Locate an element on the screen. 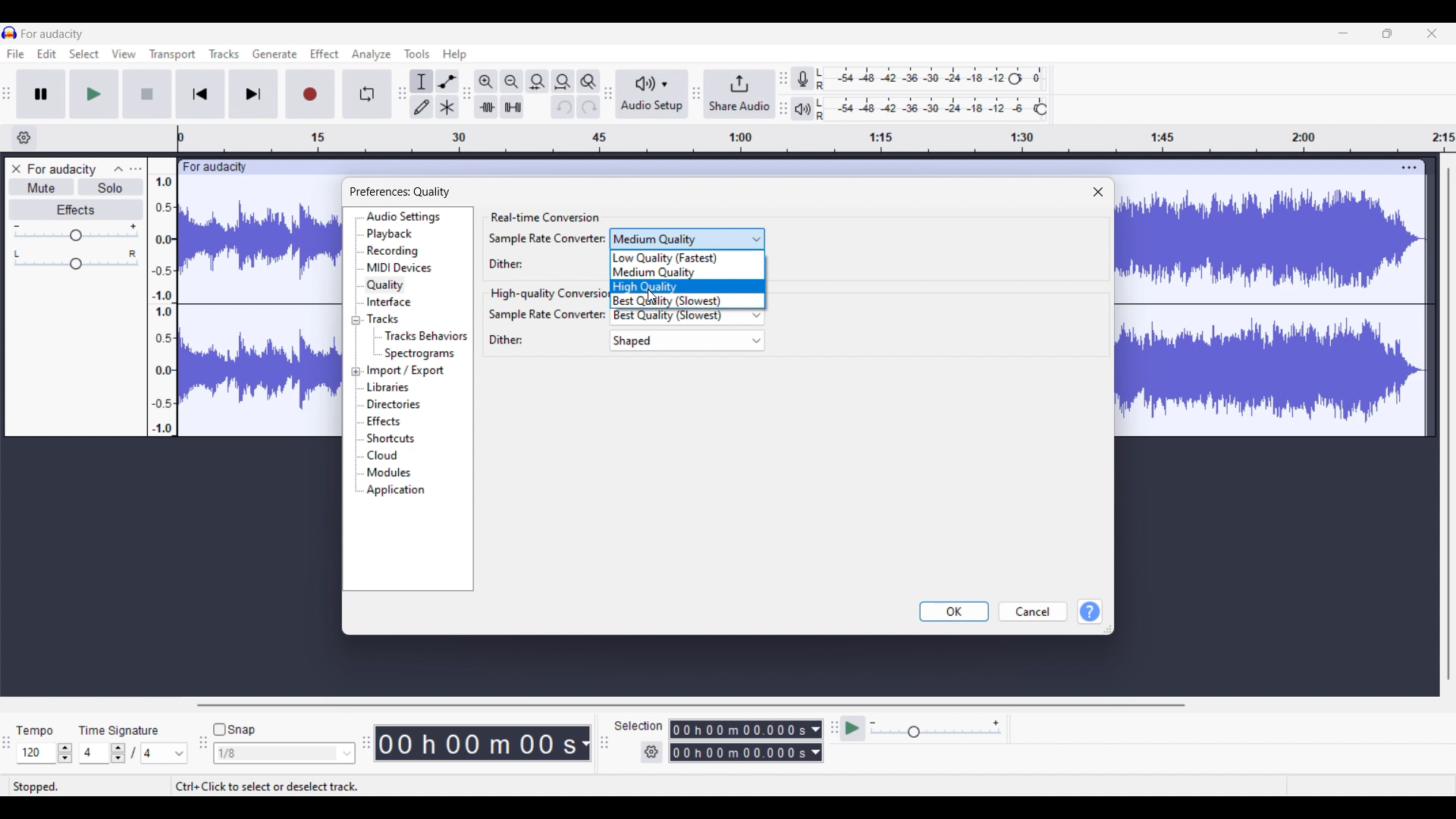  Playback meter is located at coordinates (802, 108).